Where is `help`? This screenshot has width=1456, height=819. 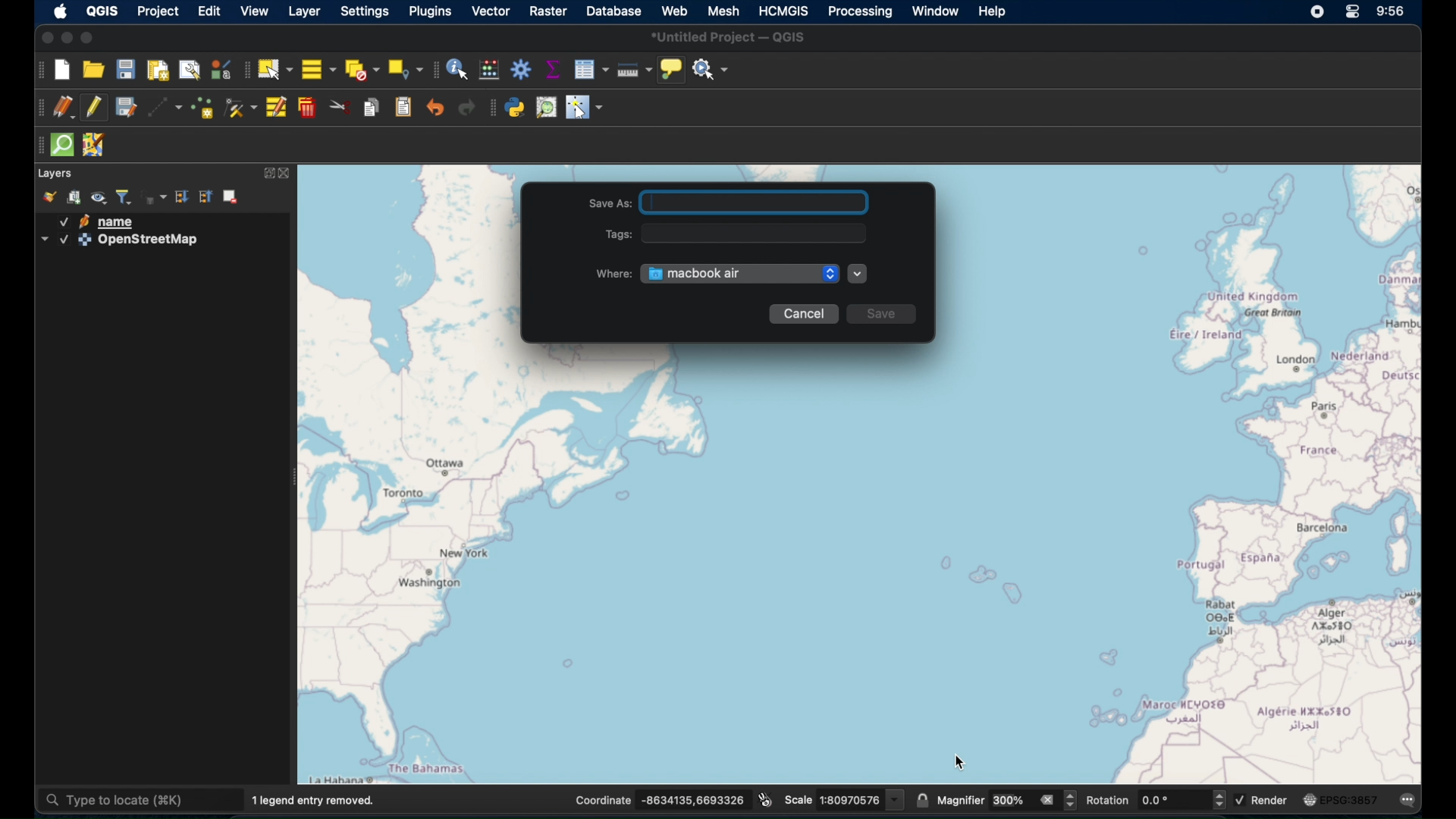
help is located at coordinates (994, 12).